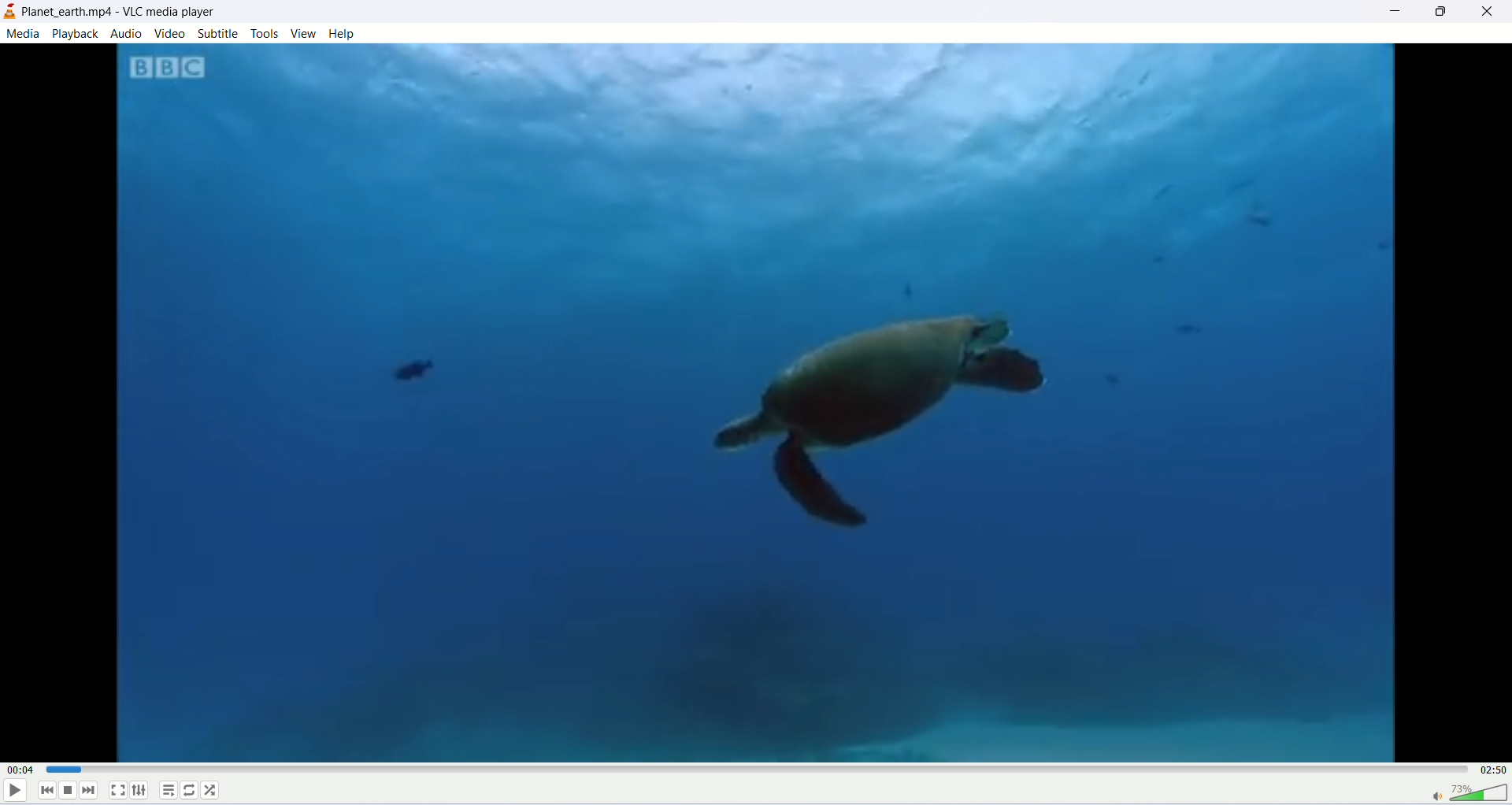 The height and width of the screenshot is (805, 1512). I want to click on progress bar, so click(754, 771).